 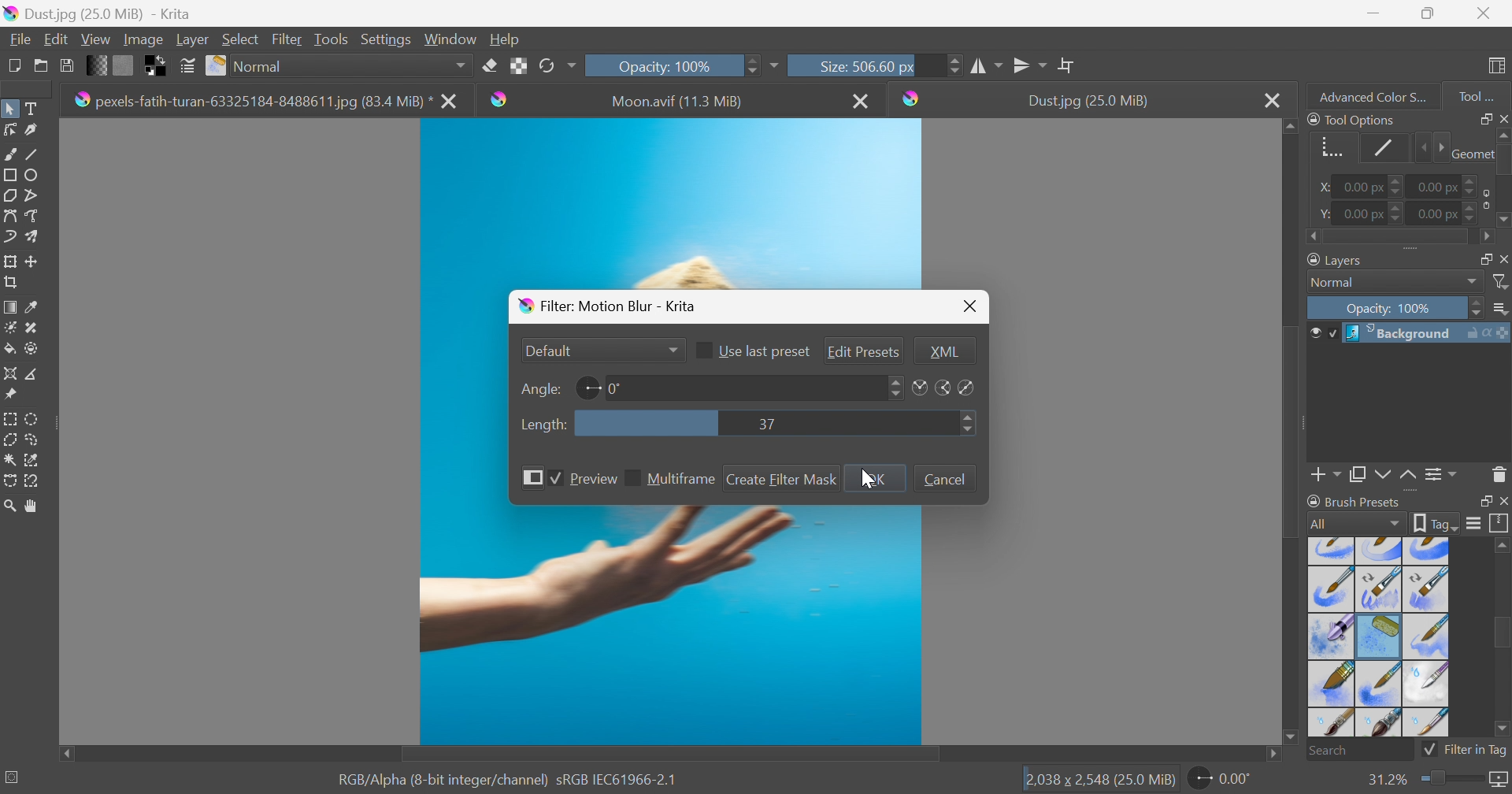 What do you see at coordinates (1337, 258) in the screenshot?
I see `Layers` at bounding box center [1337, 258].